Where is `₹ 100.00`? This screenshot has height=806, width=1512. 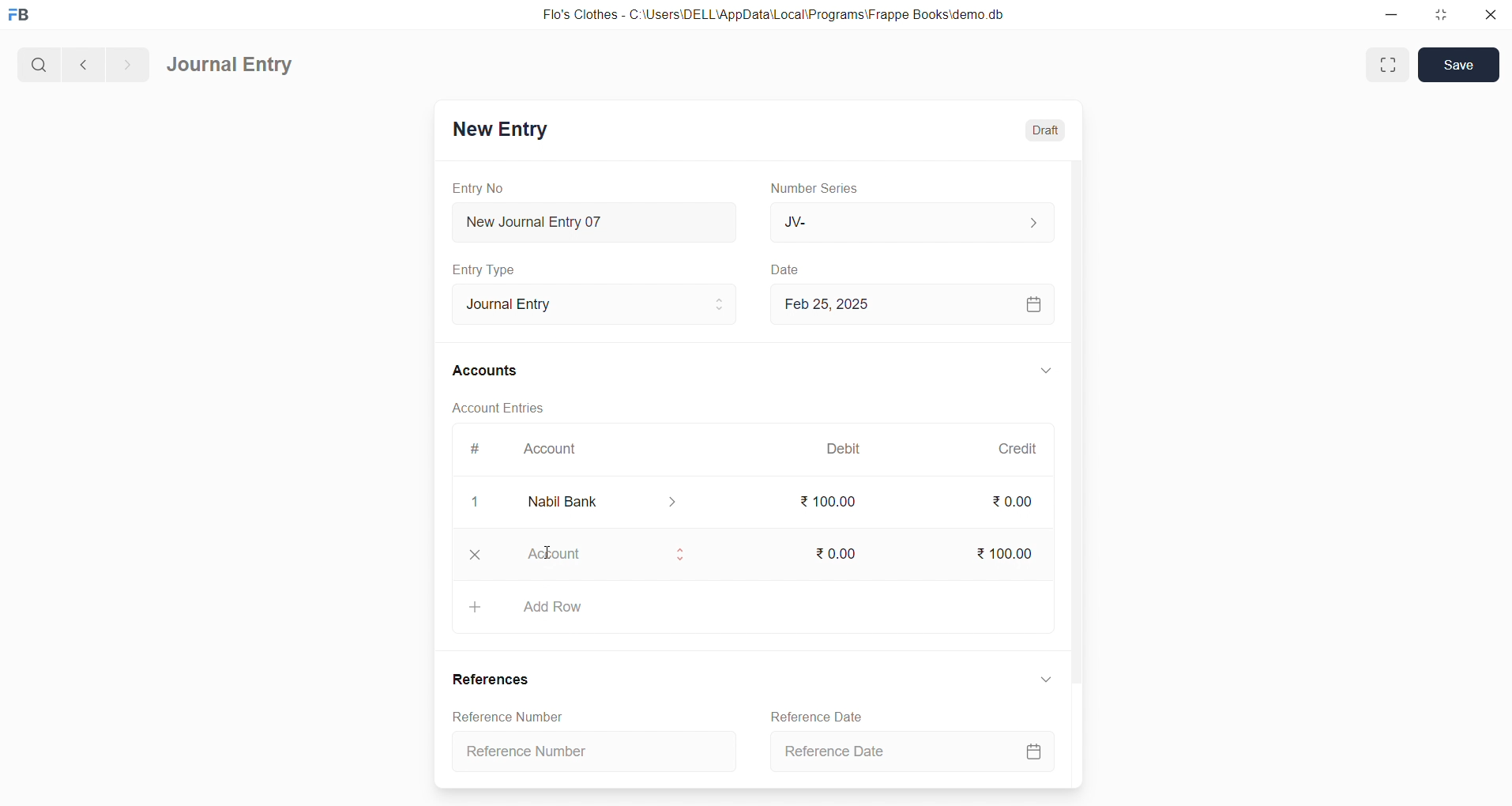
₹ 100.00 is located at coordinates (1010, 553).